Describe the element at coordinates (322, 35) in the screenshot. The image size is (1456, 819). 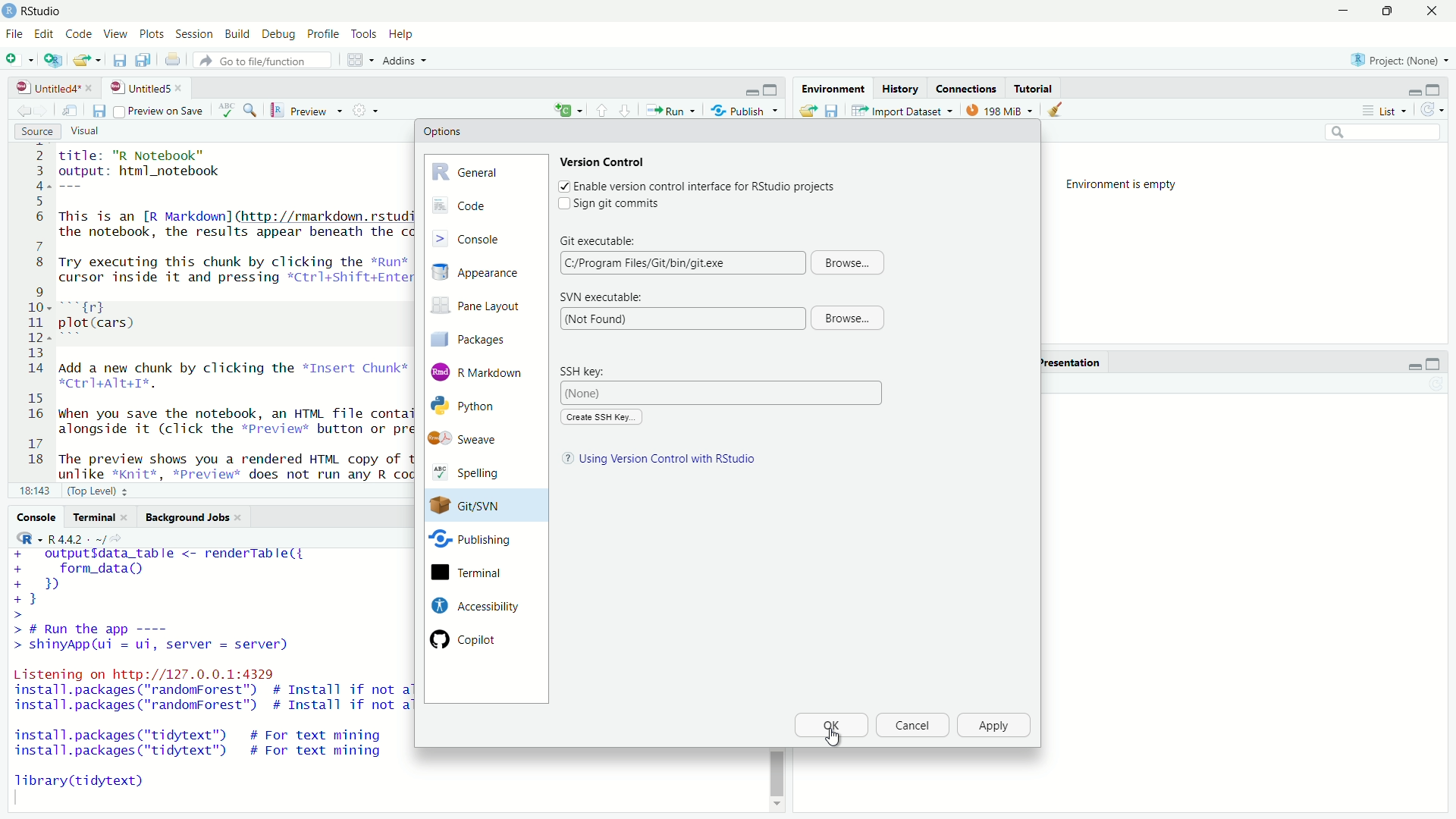
I see `Profile` at that location.